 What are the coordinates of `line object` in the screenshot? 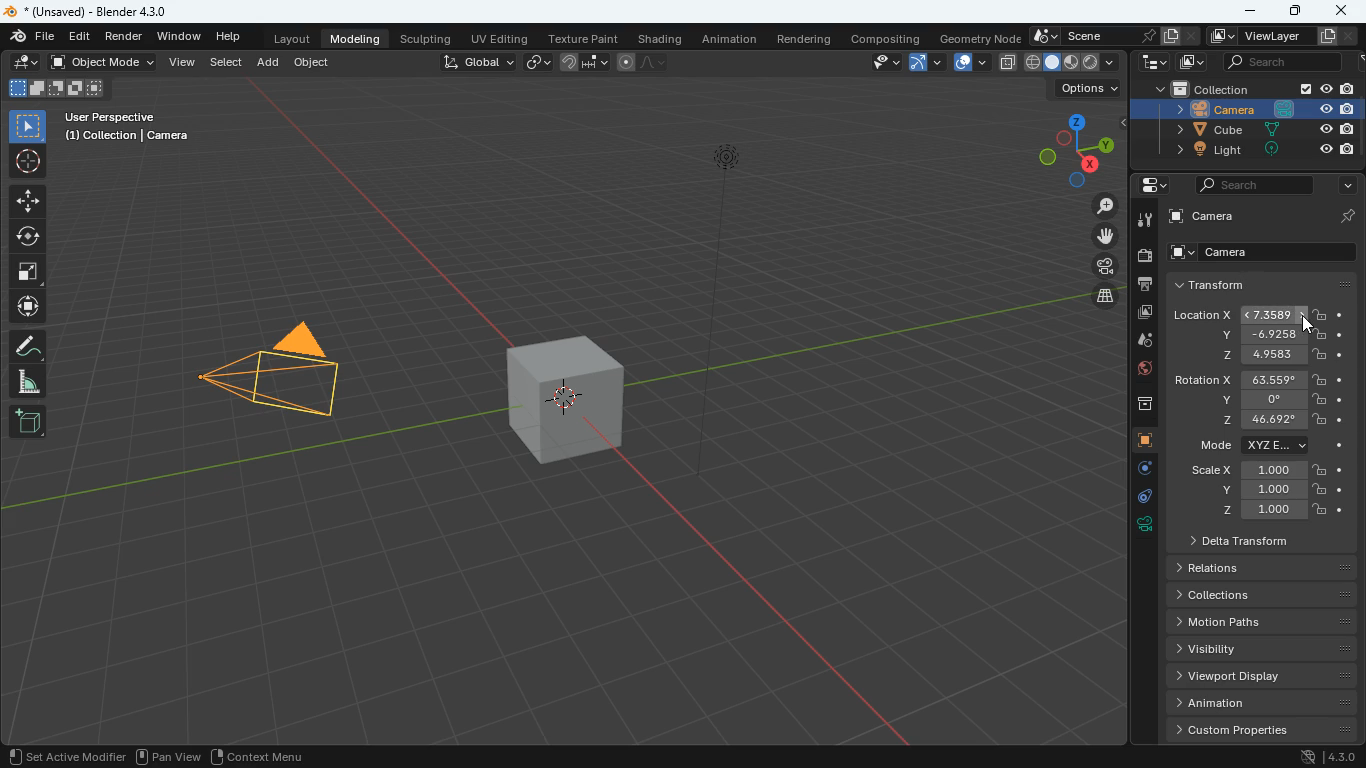 It's located at (722, 307).